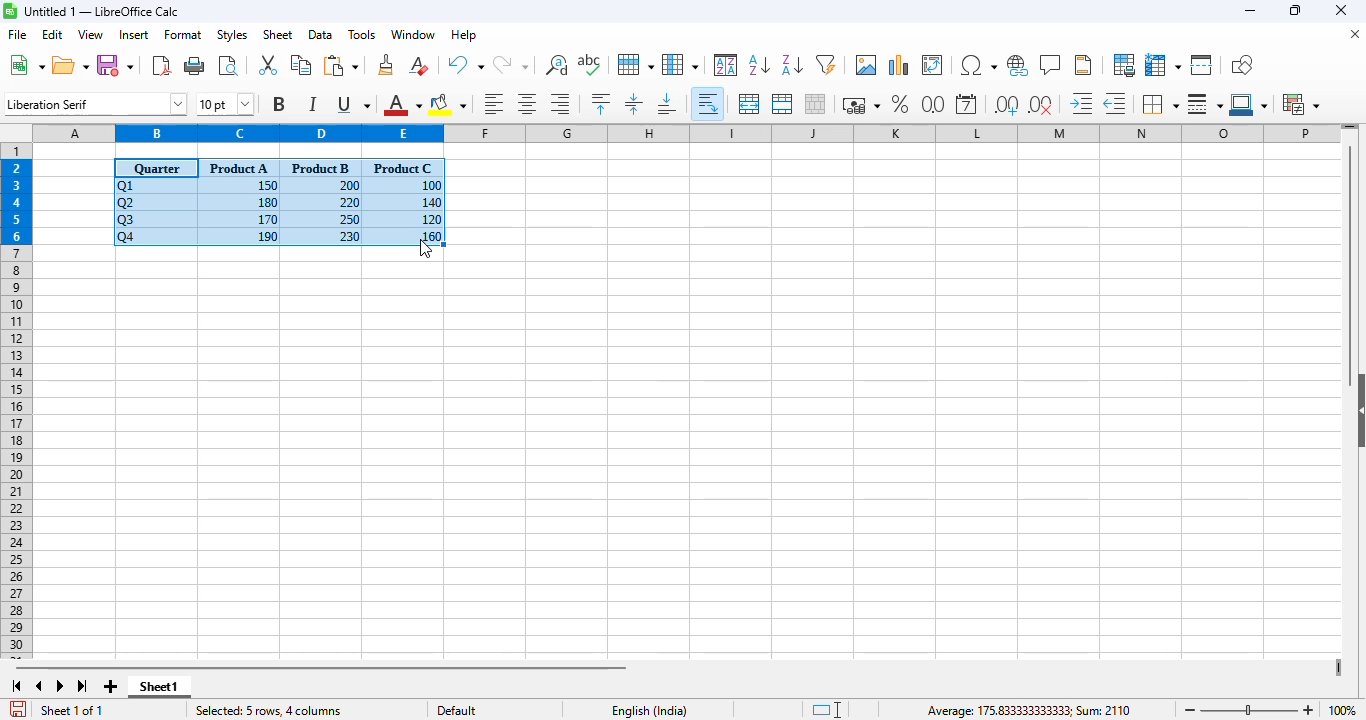 This screenshot has width=1366, height=720. What do you see at coordinates (650, 709) in the screenshot?
I see `text language` at bounding box center [650, 709].